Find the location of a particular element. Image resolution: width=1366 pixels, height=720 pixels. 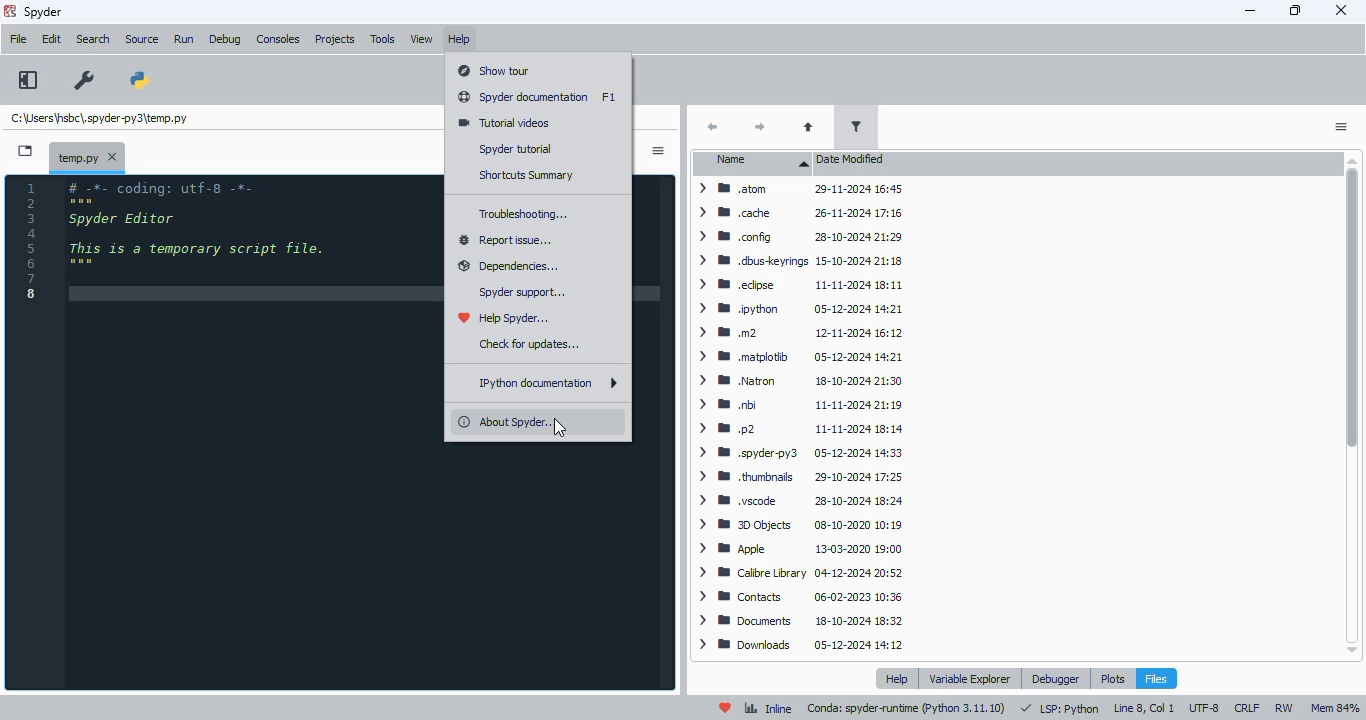

CRLF is located at coordinates (1246, 708).